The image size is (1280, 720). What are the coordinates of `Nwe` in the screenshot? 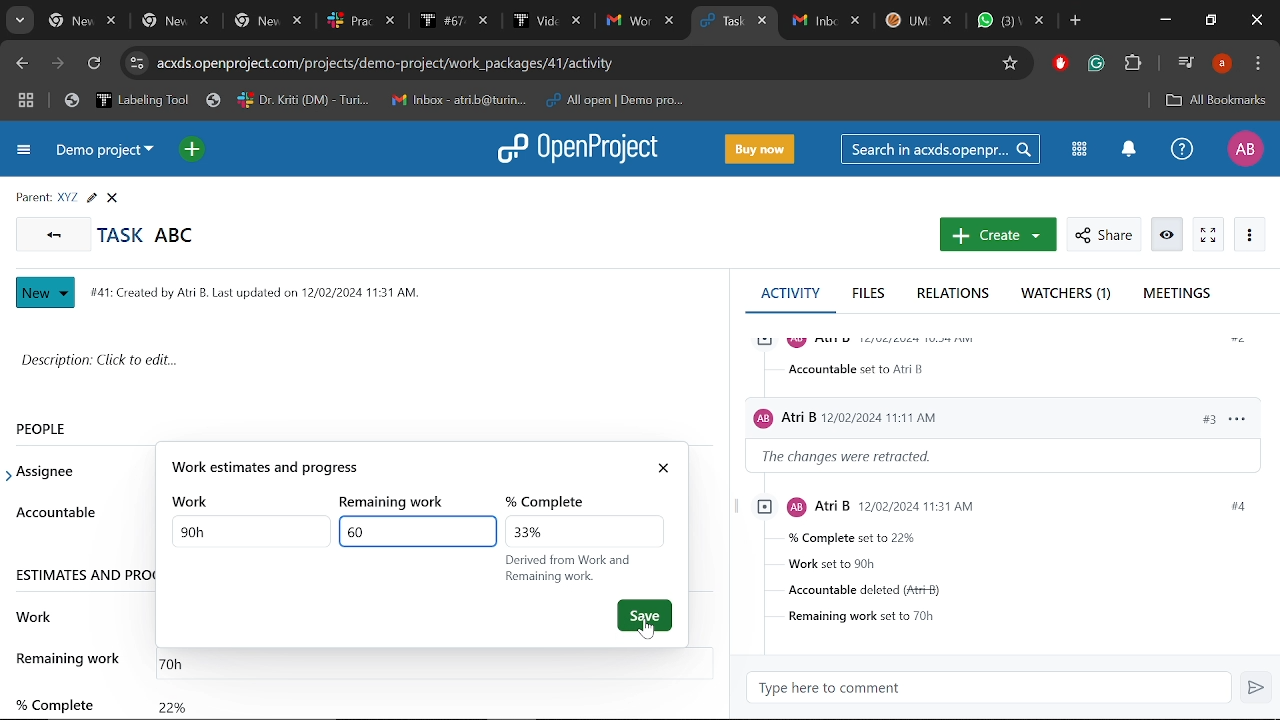 It's located at (46, 293).